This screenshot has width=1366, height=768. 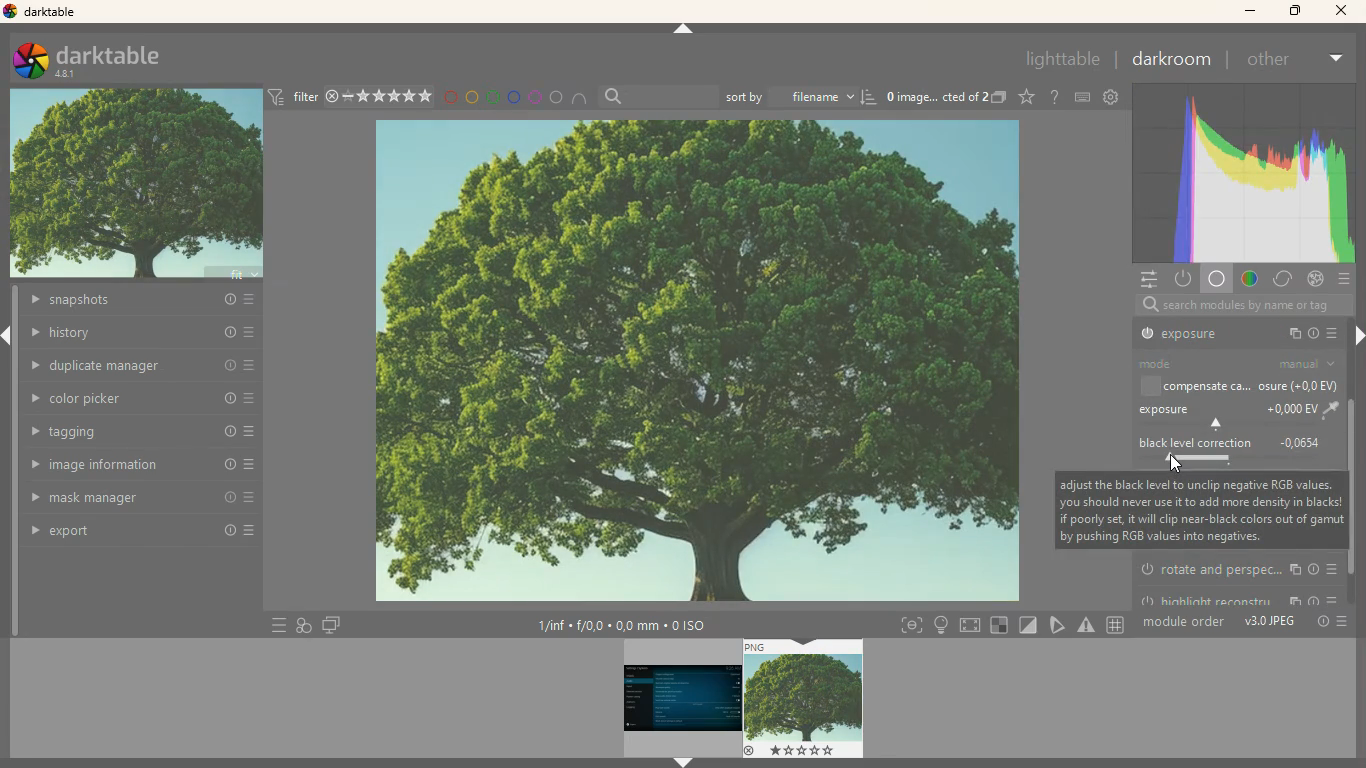 What do you see at coordinates (9, 336) in the screenshot?
I see `arrow` at bounding box center [9, 336].